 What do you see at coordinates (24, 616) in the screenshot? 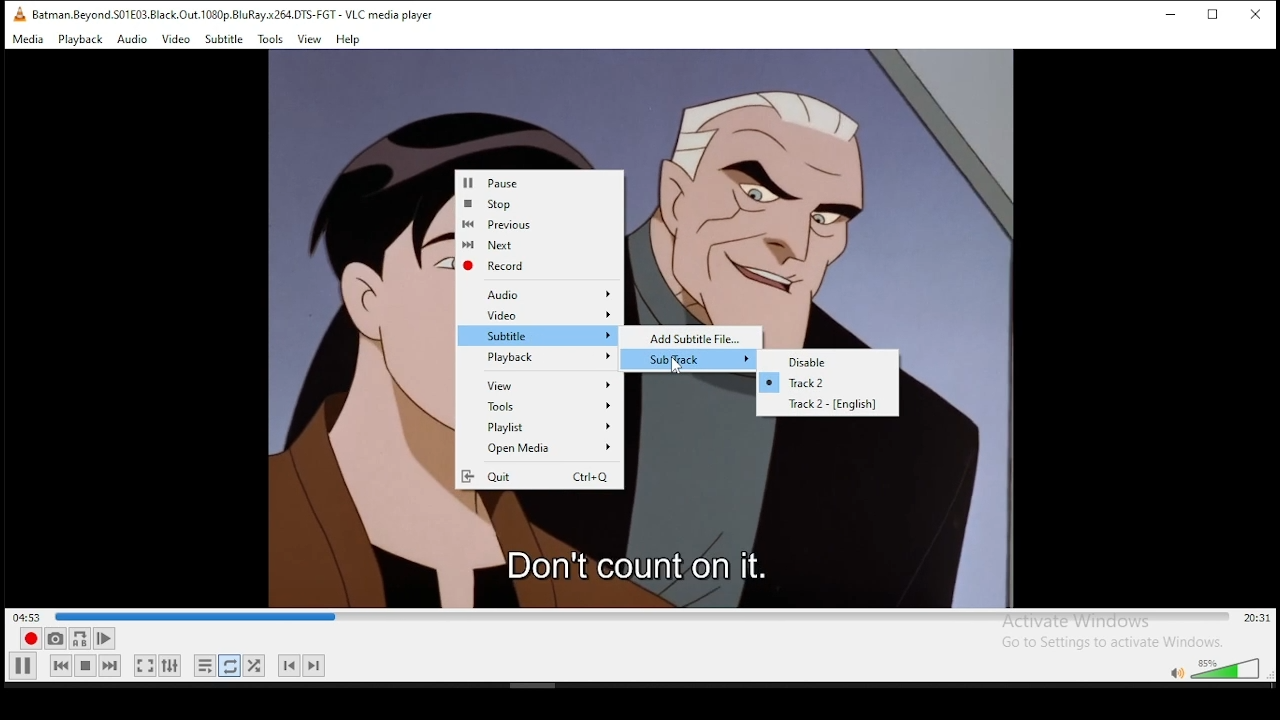
I see `04:53` at bounding box center [24, 616].